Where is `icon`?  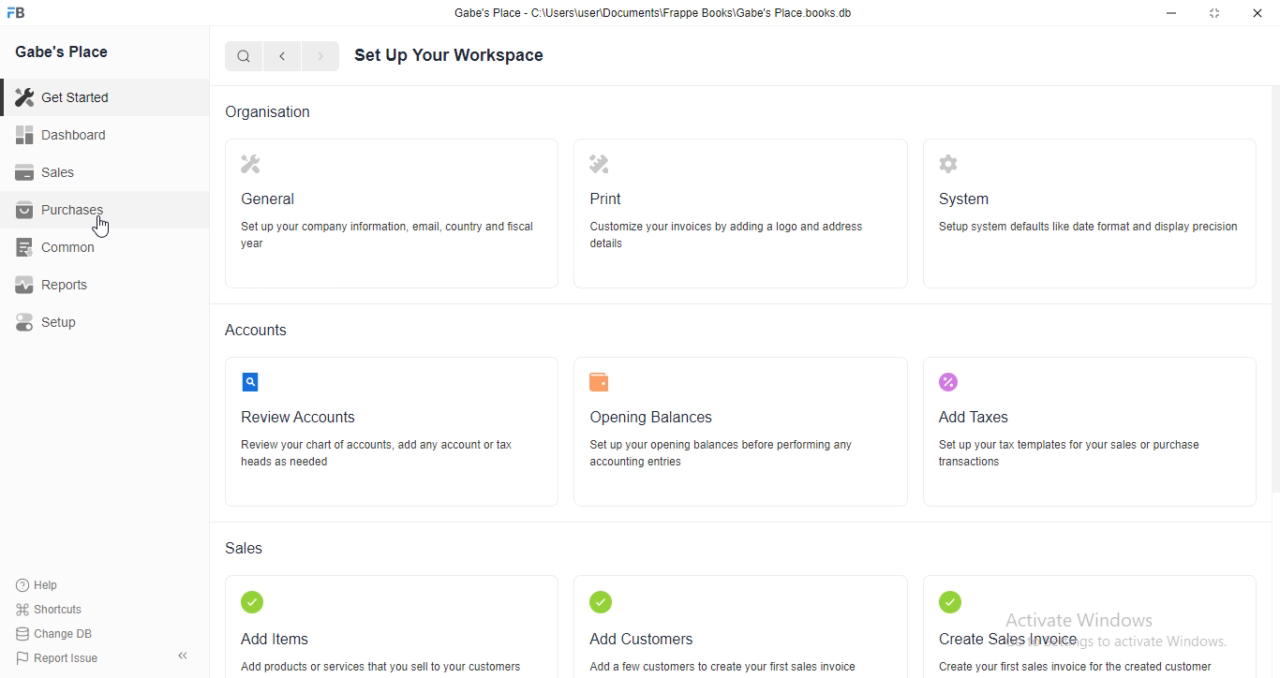
icon is located at coordinates (953, 602).